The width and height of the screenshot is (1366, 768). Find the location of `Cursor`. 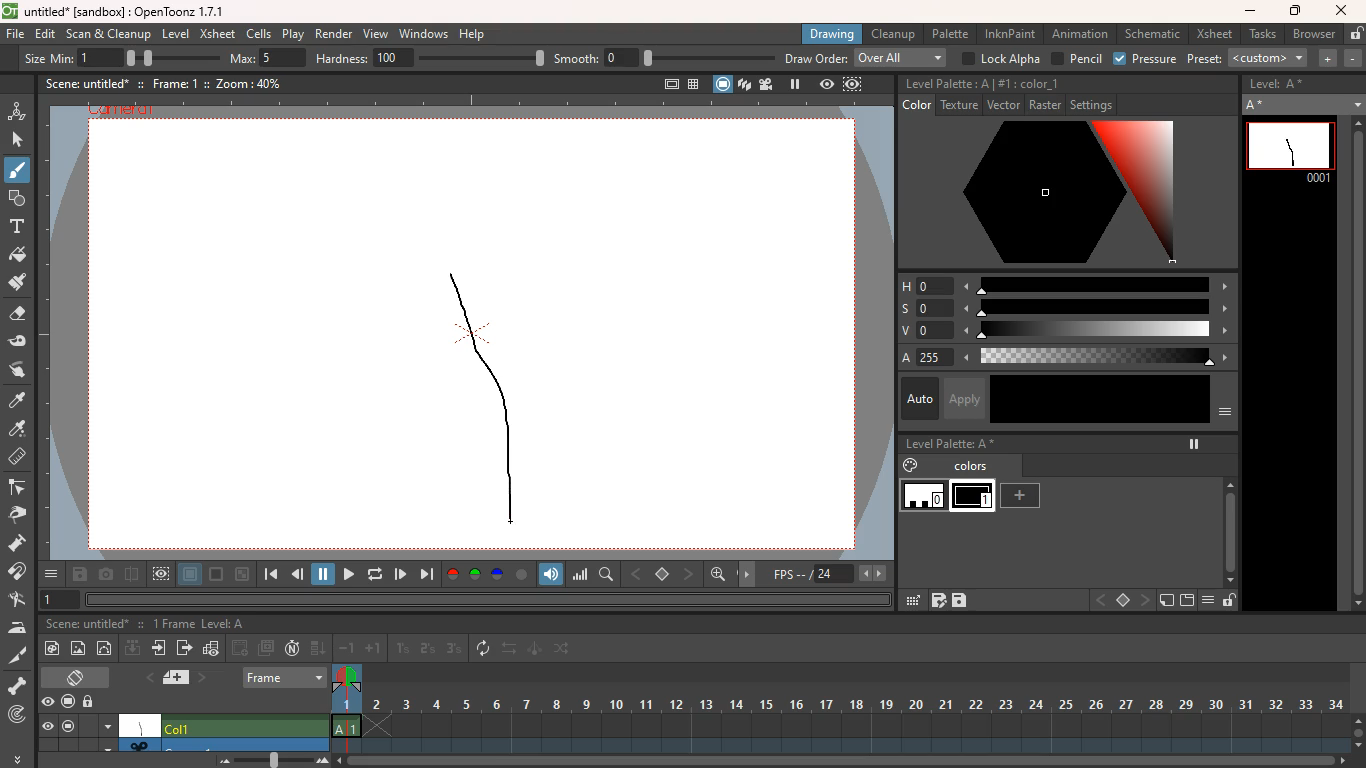

Cursor is located at coordinates (21, 179).